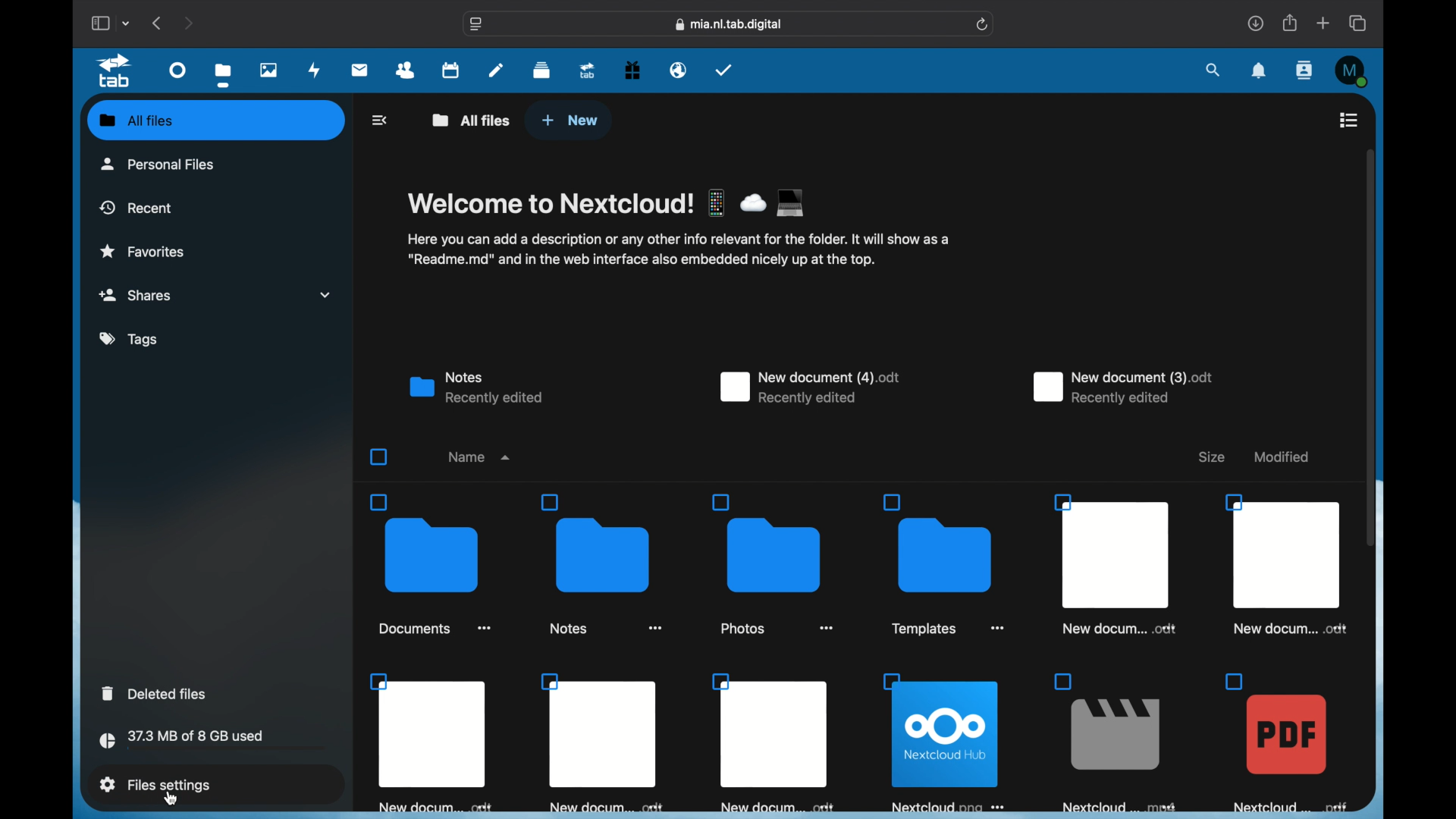 Image resolution: width=1456 pixels, height=819 pixels. Describe the element at coordinates (1282, 457) in the screenshot. I see `modified` at that location.